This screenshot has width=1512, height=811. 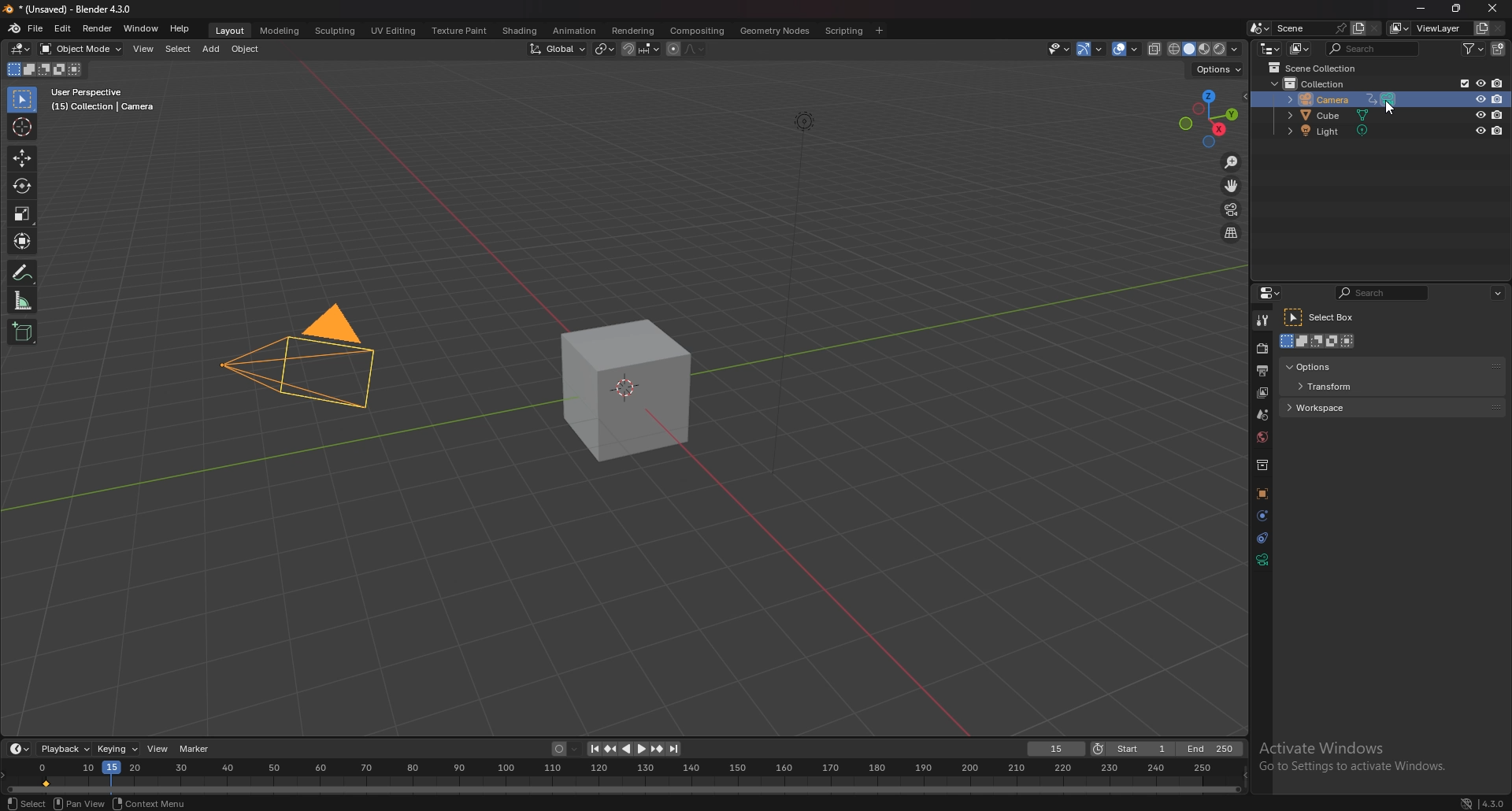 What do you see at coordinates (784, 294) in the screenshot?
I see `` at bounding box center [784, 294].